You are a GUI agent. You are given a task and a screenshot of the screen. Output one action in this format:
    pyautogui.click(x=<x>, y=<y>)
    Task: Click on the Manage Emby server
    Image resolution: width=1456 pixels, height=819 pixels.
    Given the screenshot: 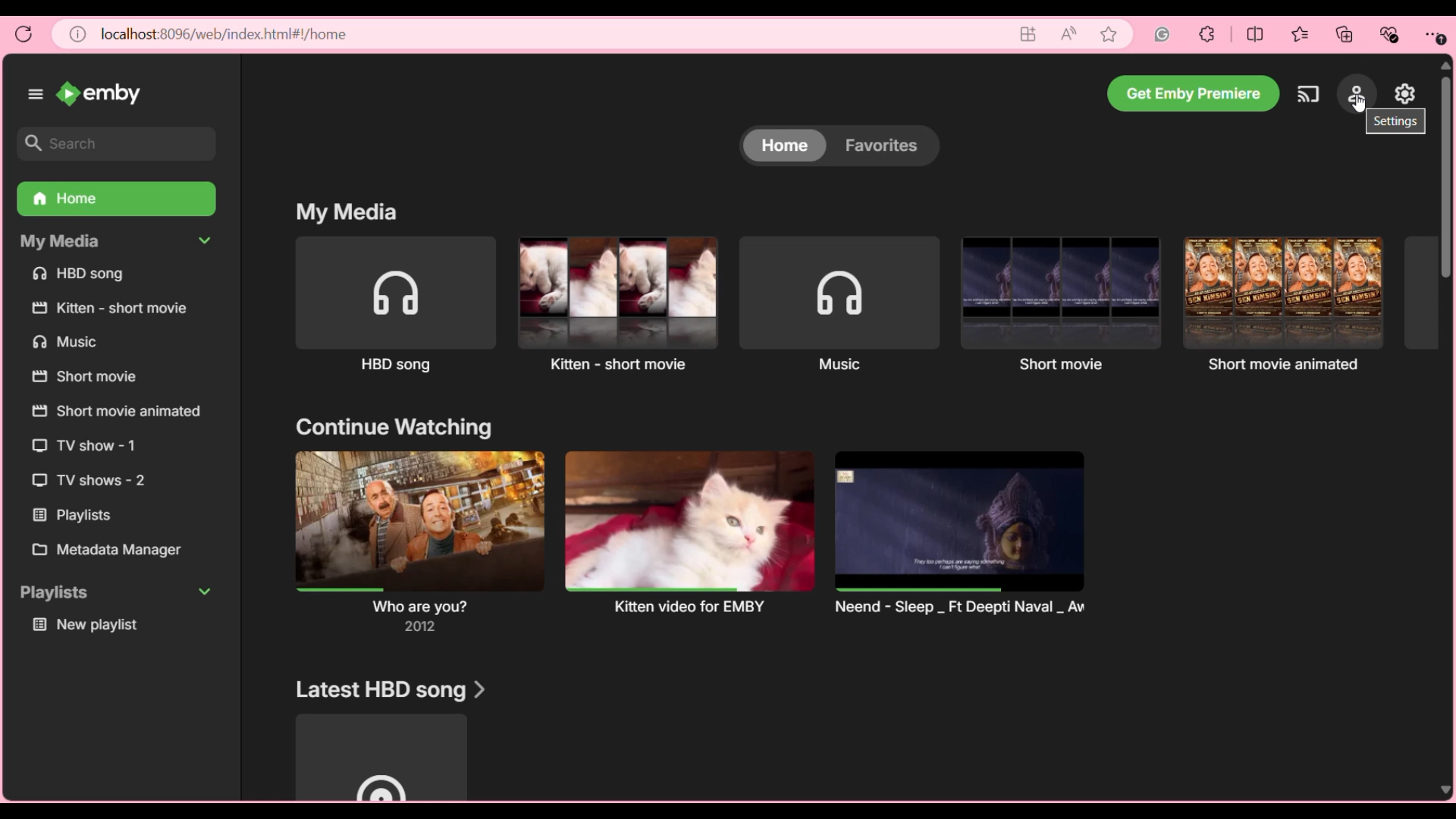 What is the action you would take?
    pyautogui.click(x=1405, y=93)
    